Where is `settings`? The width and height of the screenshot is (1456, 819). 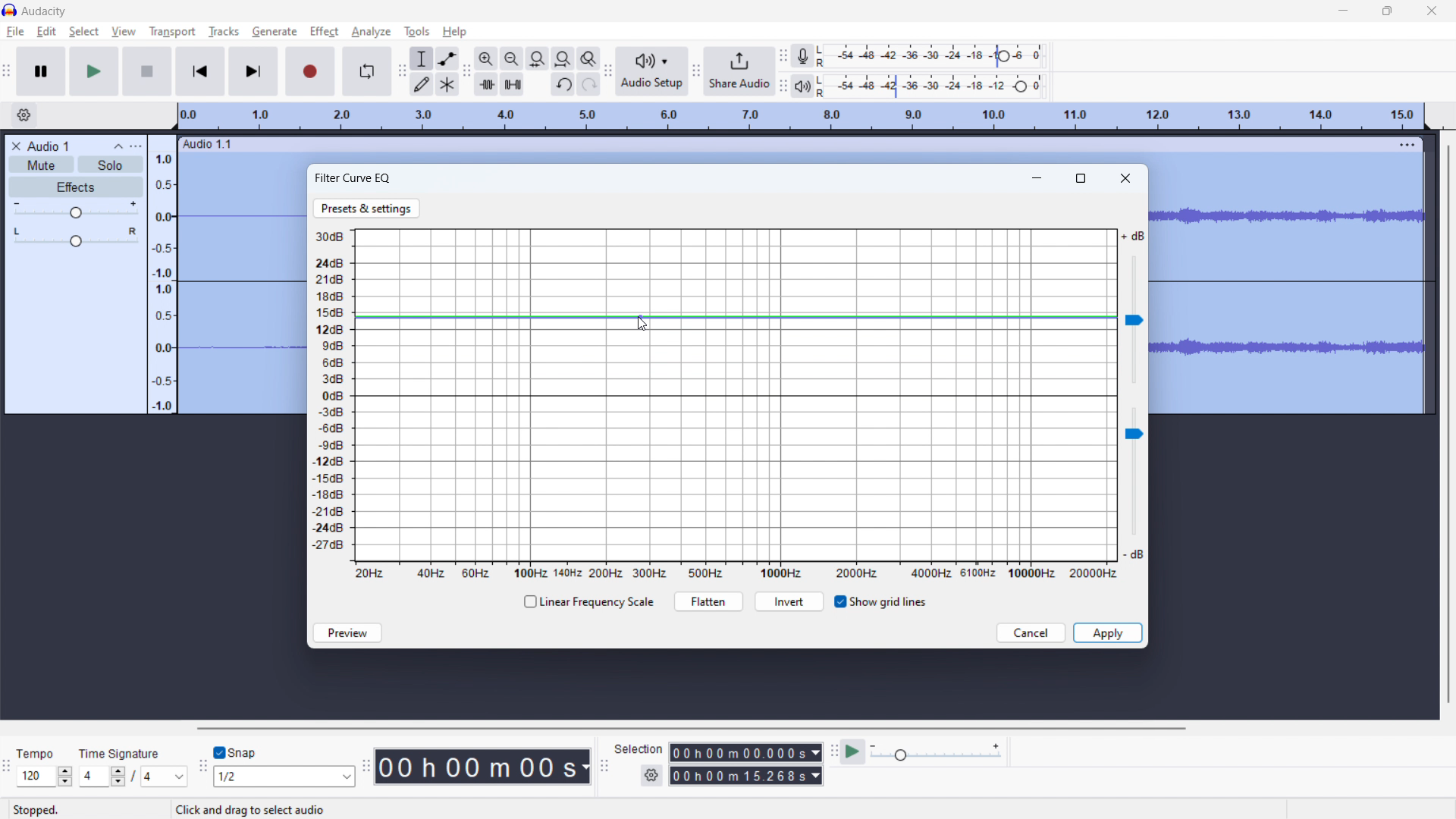
settings is located at coordinates (651, 776).